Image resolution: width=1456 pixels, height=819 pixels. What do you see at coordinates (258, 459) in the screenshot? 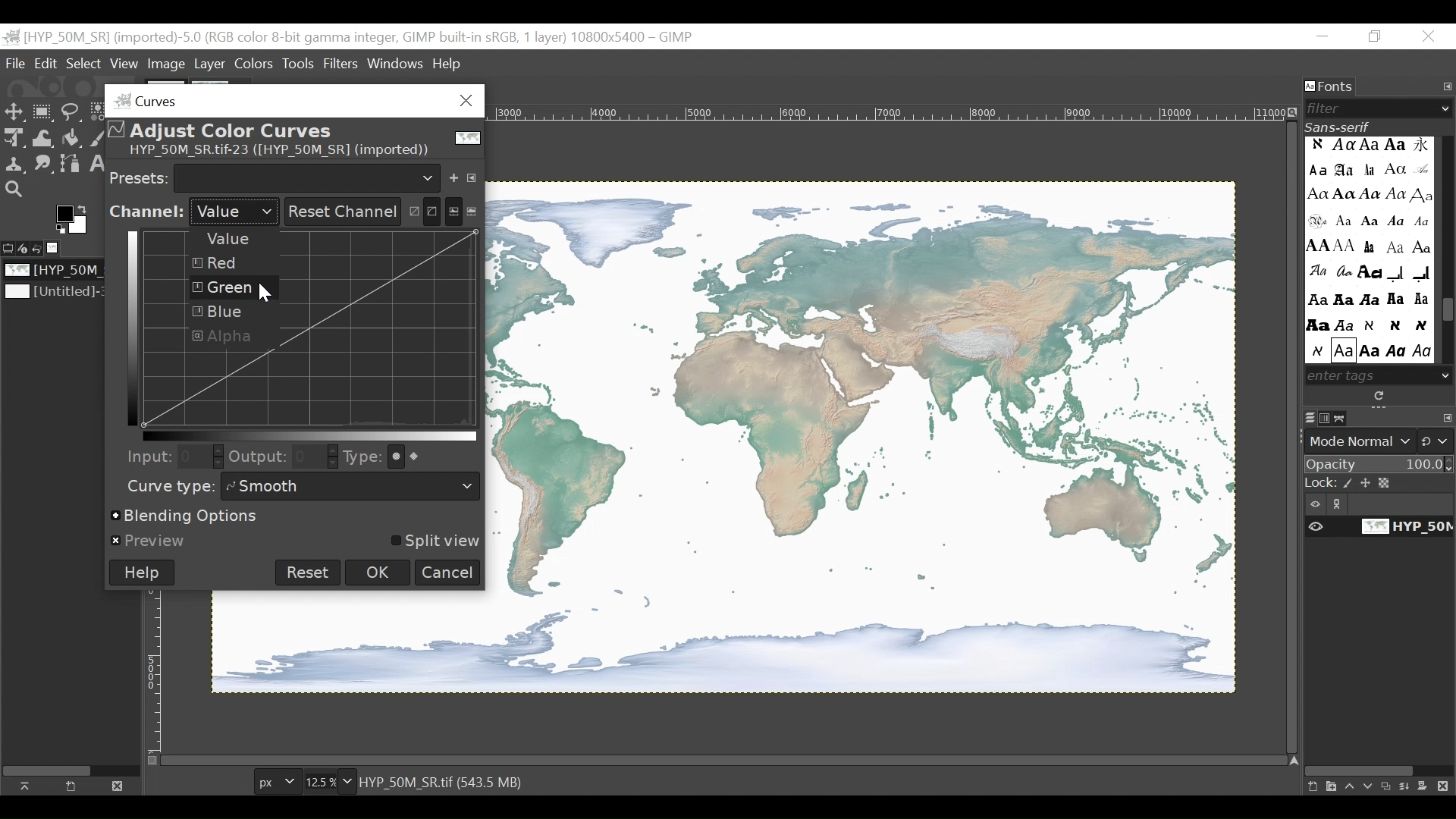
I see `Output` at bounding box center [258, 459].